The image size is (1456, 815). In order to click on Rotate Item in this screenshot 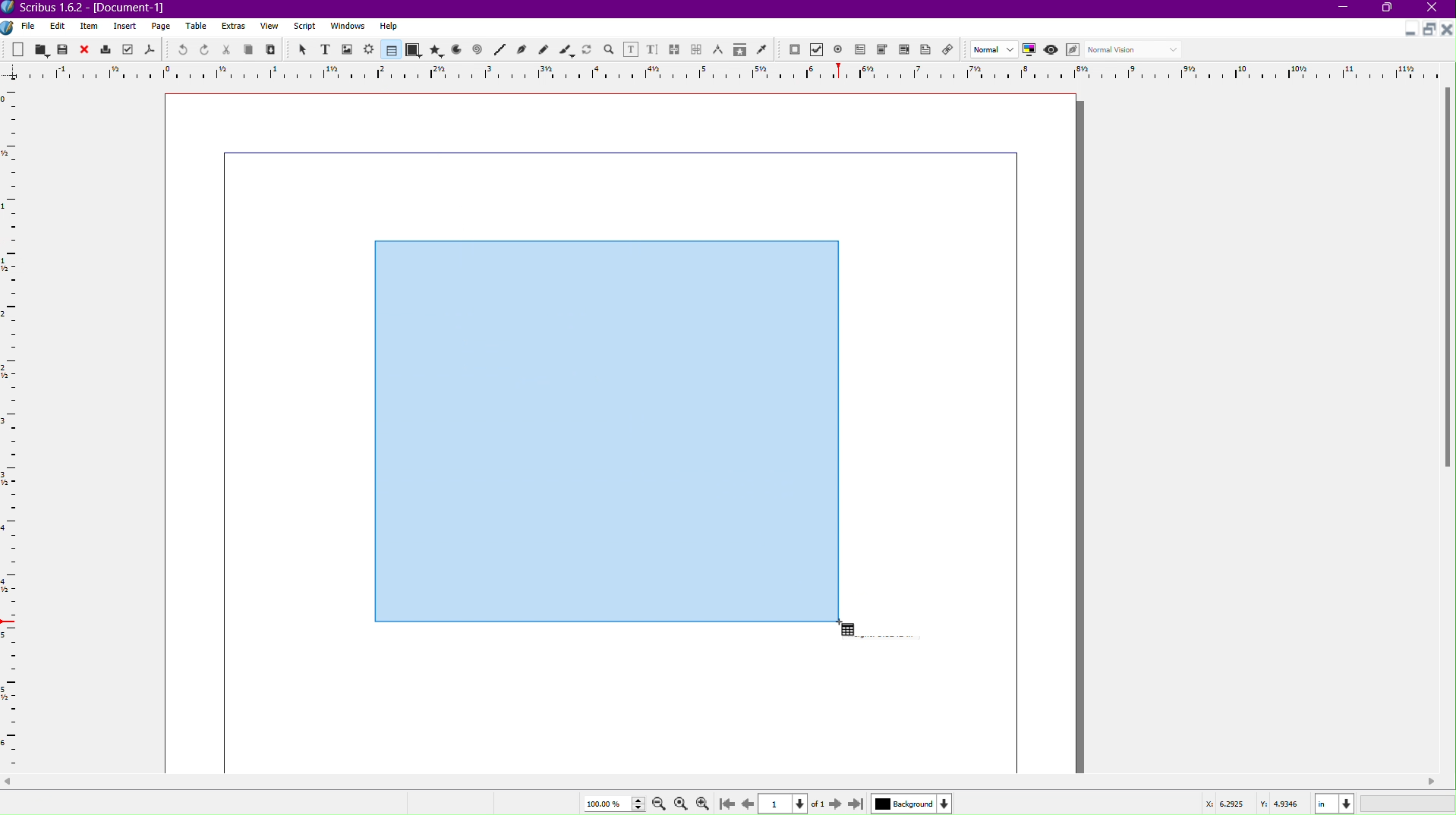, I will do `click(587, 49)`.